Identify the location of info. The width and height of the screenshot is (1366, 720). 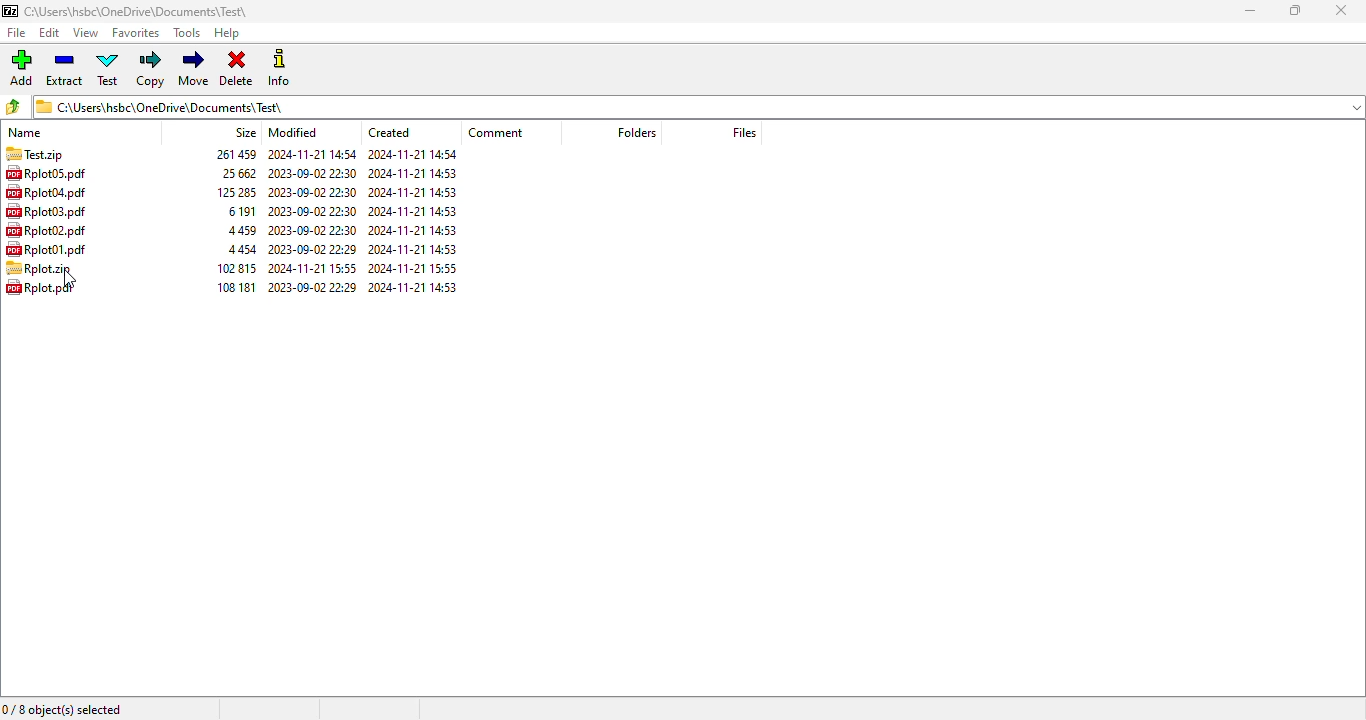
(278, 67).